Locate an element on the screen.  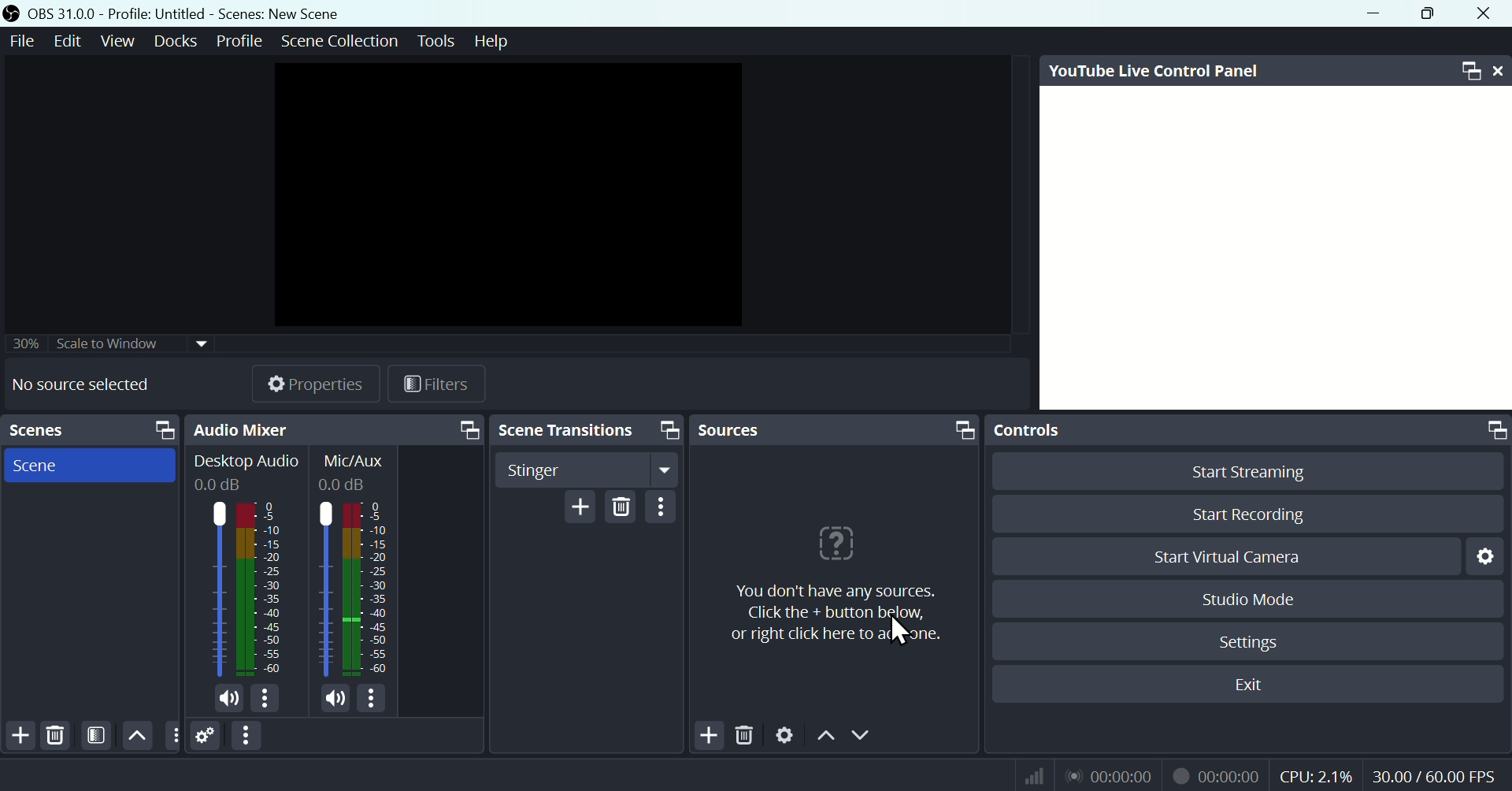
File is located at coordinates (24, 41).